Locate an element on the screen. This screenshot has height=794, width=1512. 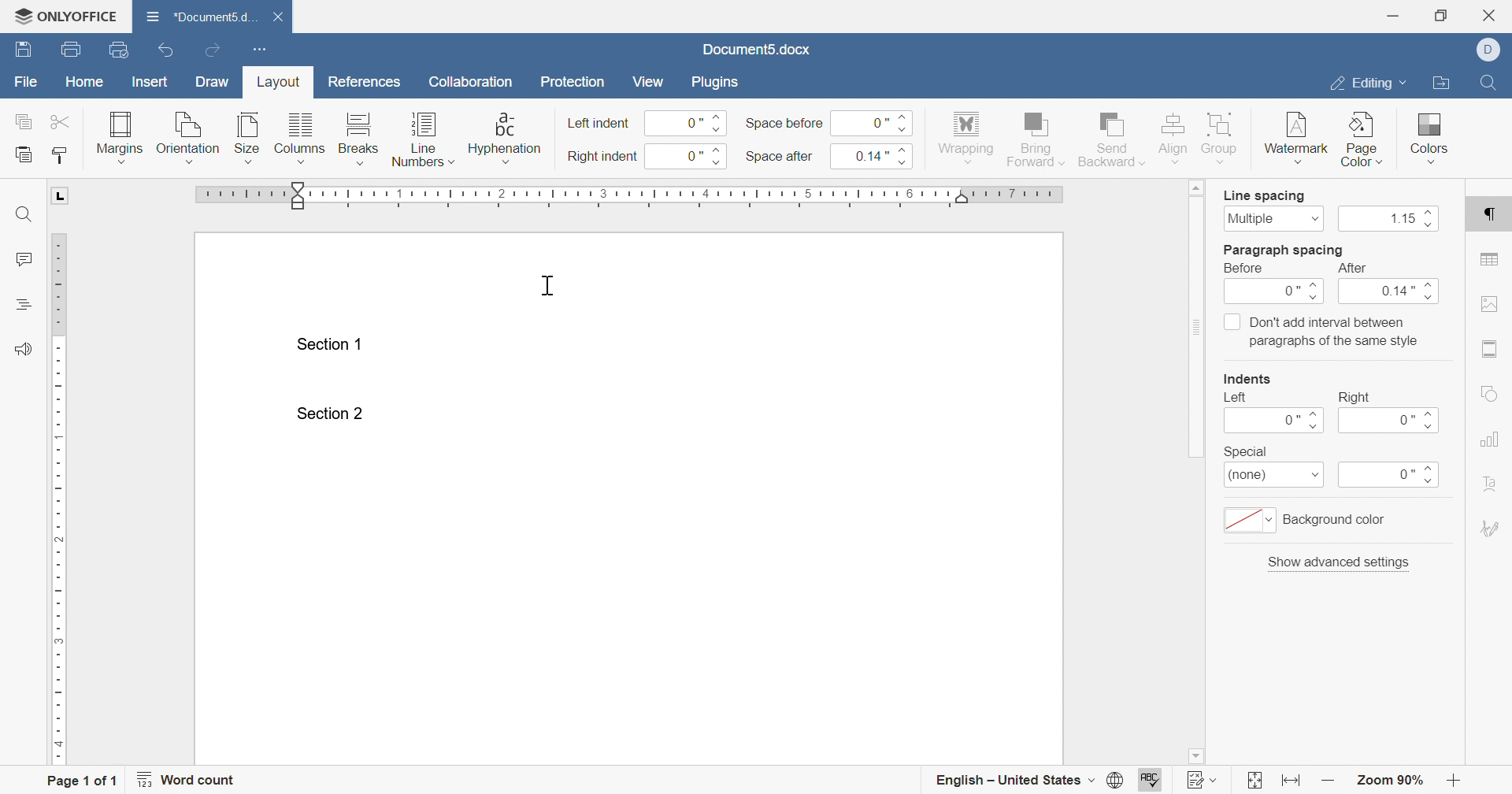
left indent is located at coordinates (600, 124).